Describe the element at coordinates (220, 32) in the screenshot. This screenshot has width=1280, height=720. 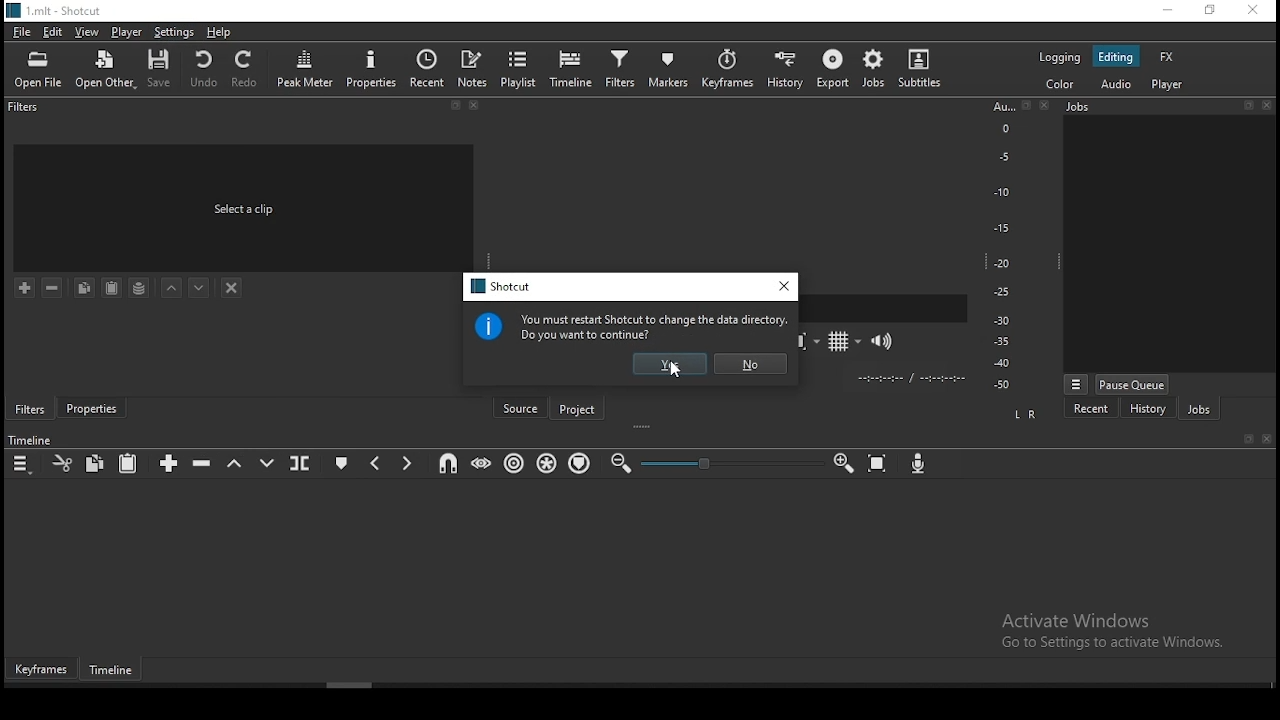
I see `help` at that location.